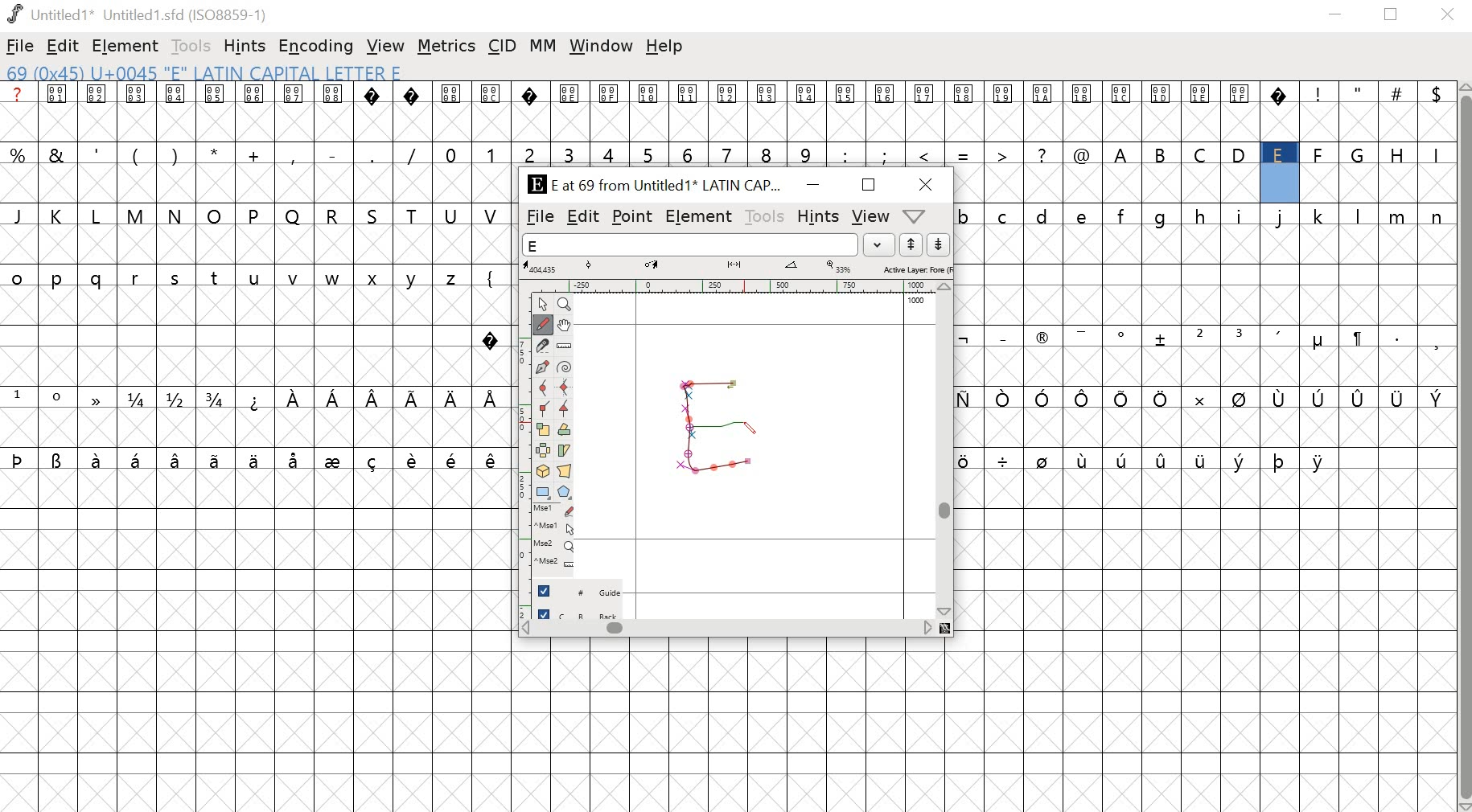  I want to click on special characters and symbols, so click(252, 399).